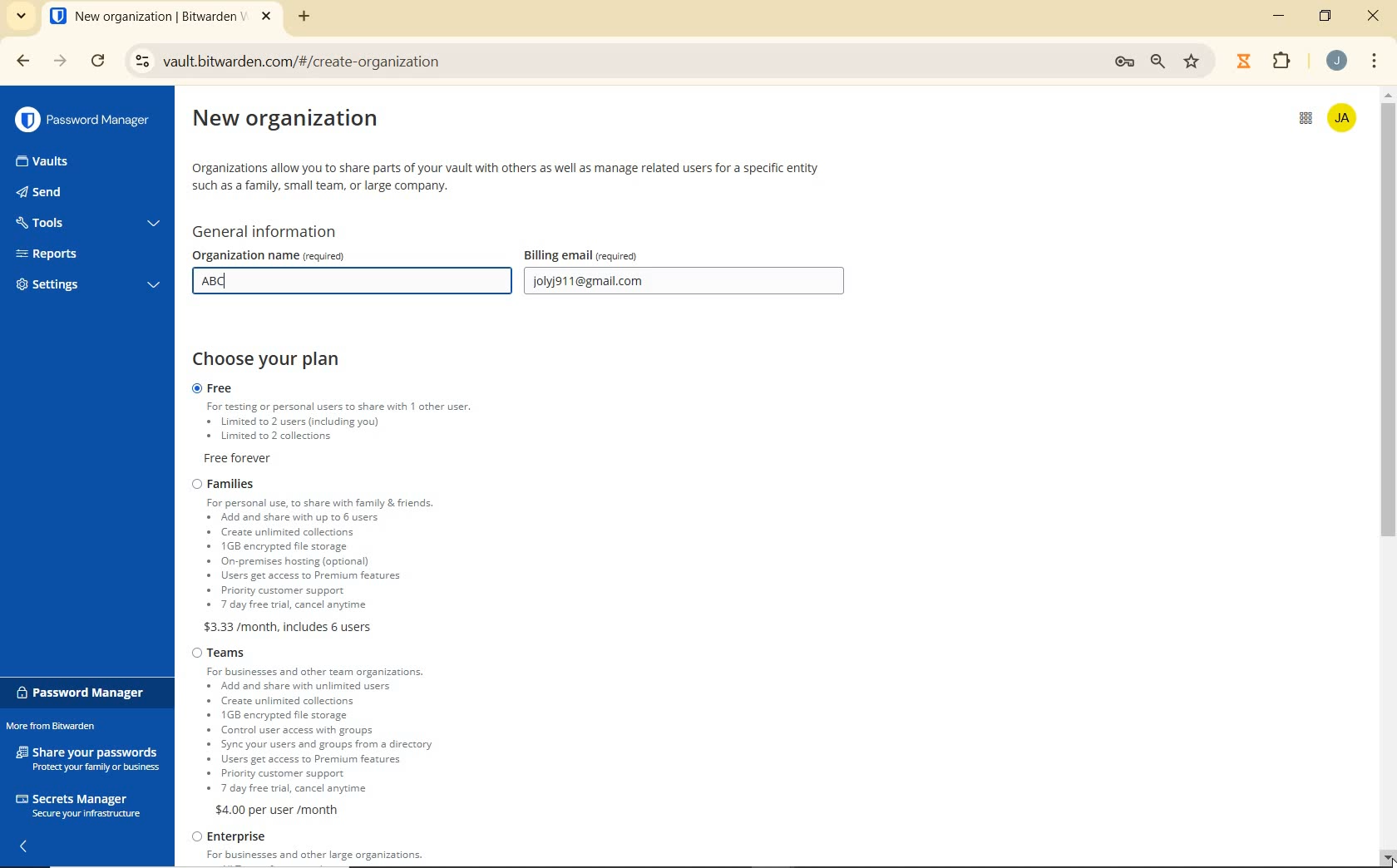 Image resolution: width=1397 pixels, height=868 pixels. What do you see at coordinates (363, 555) in the screenshot?
I see `families plan` at bounding box center [363, 555].